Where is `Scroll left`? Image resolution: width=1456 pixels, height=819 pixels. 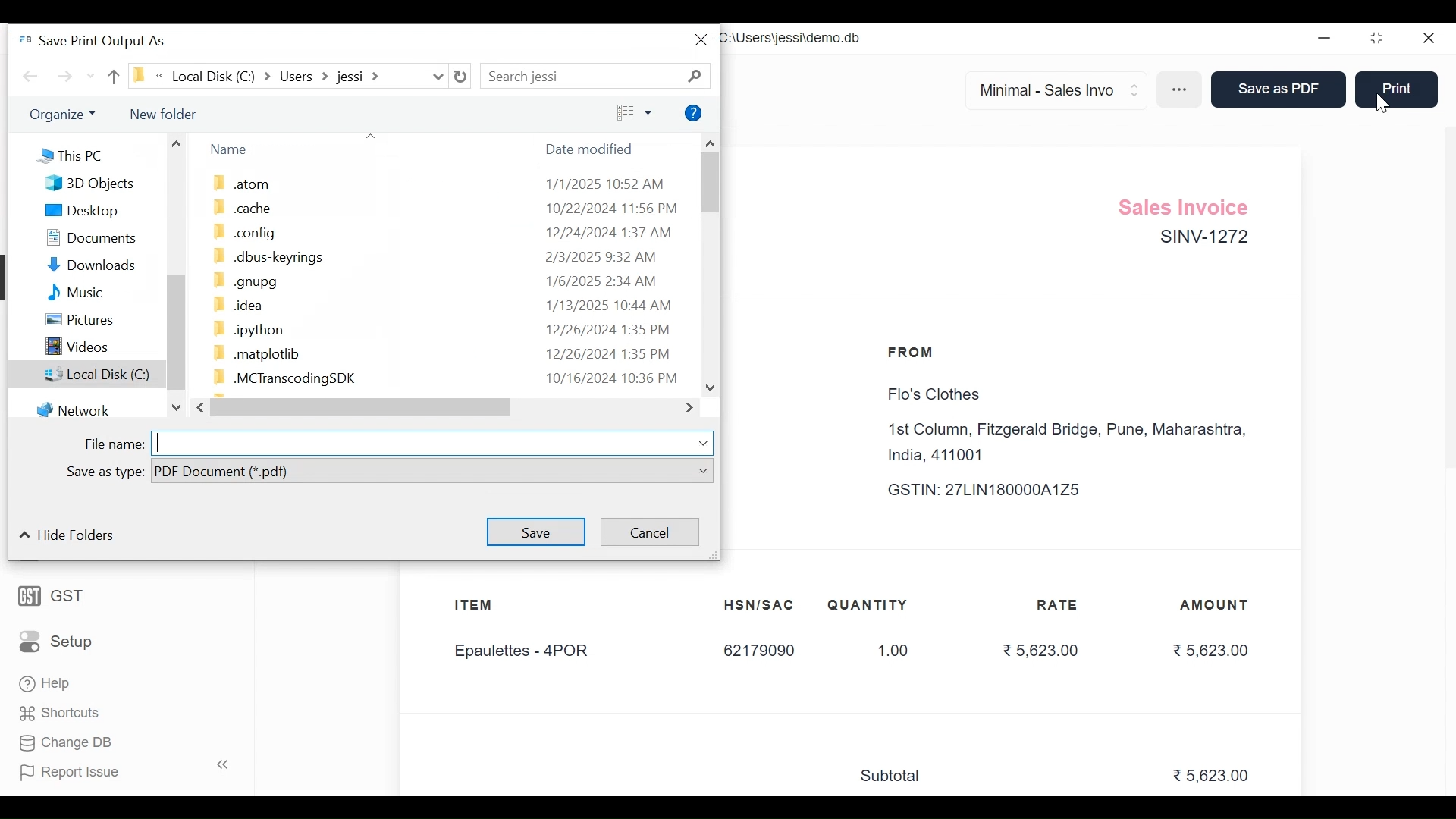 Scroll left is located at coordinates (202, 406).